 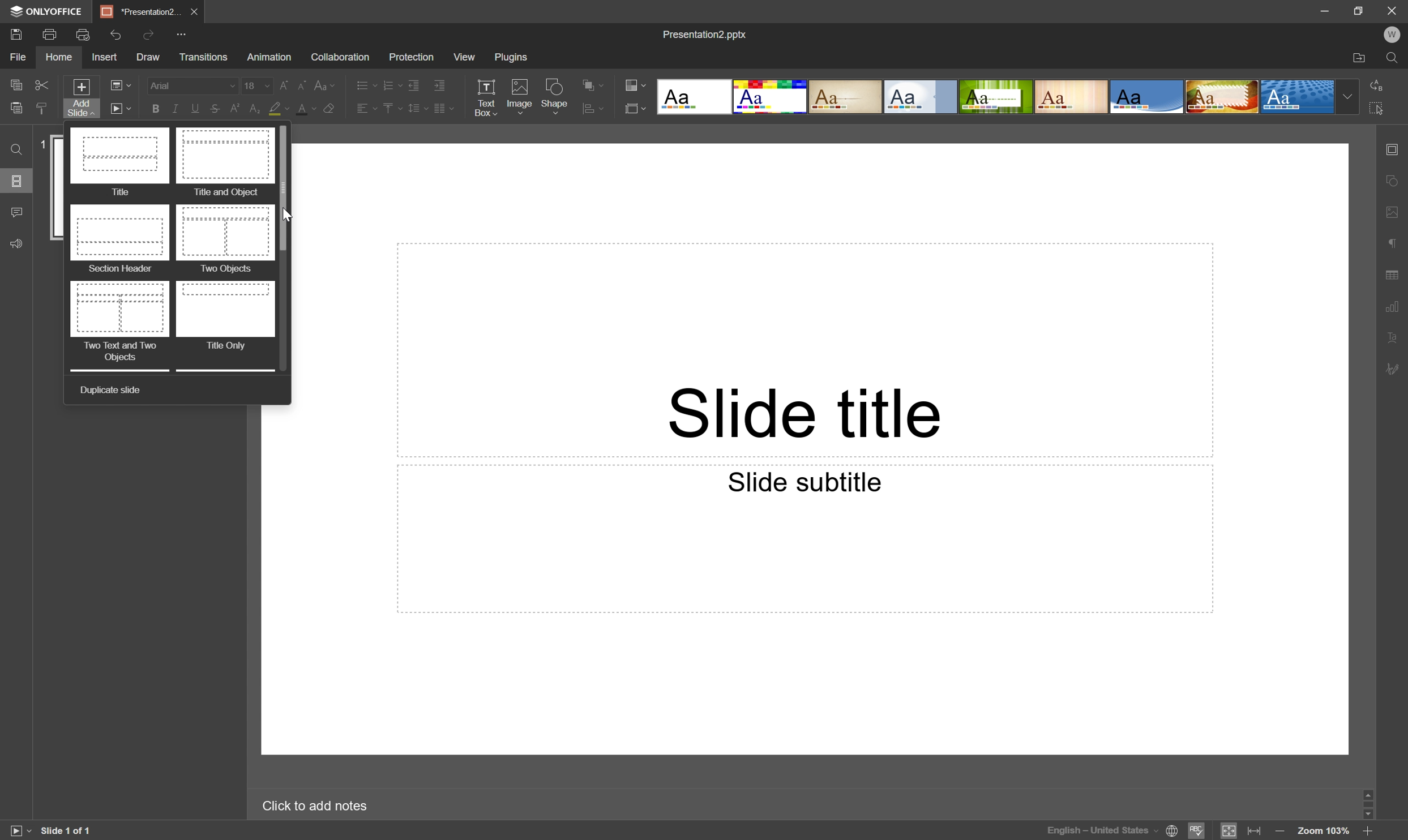 I want to click on Font color, so click(x=303, y=106).